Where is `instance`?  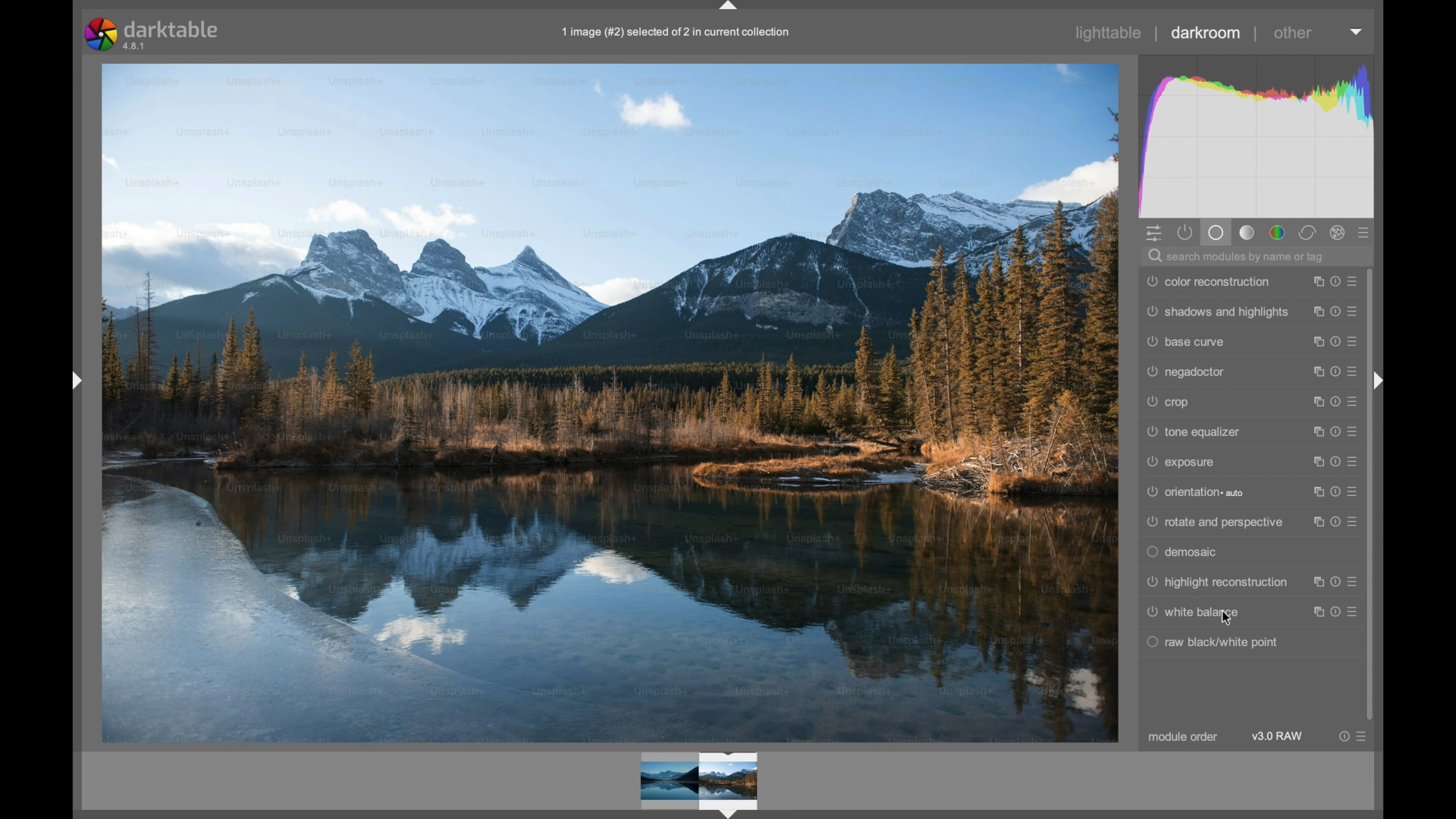
instance is located at coordinates (1314, 309).